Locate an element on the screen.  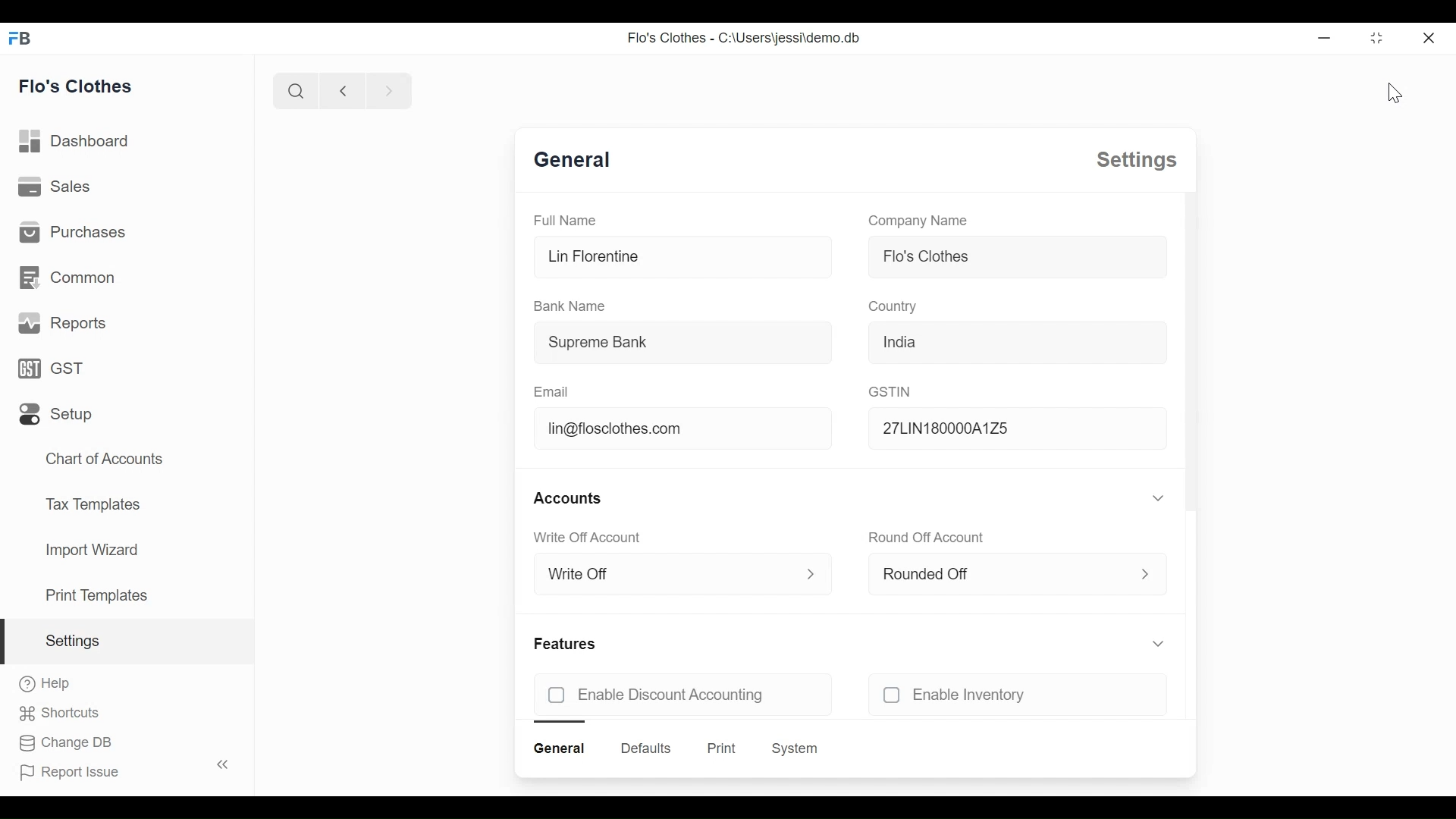
settings is located at coordinates (1137, 160).